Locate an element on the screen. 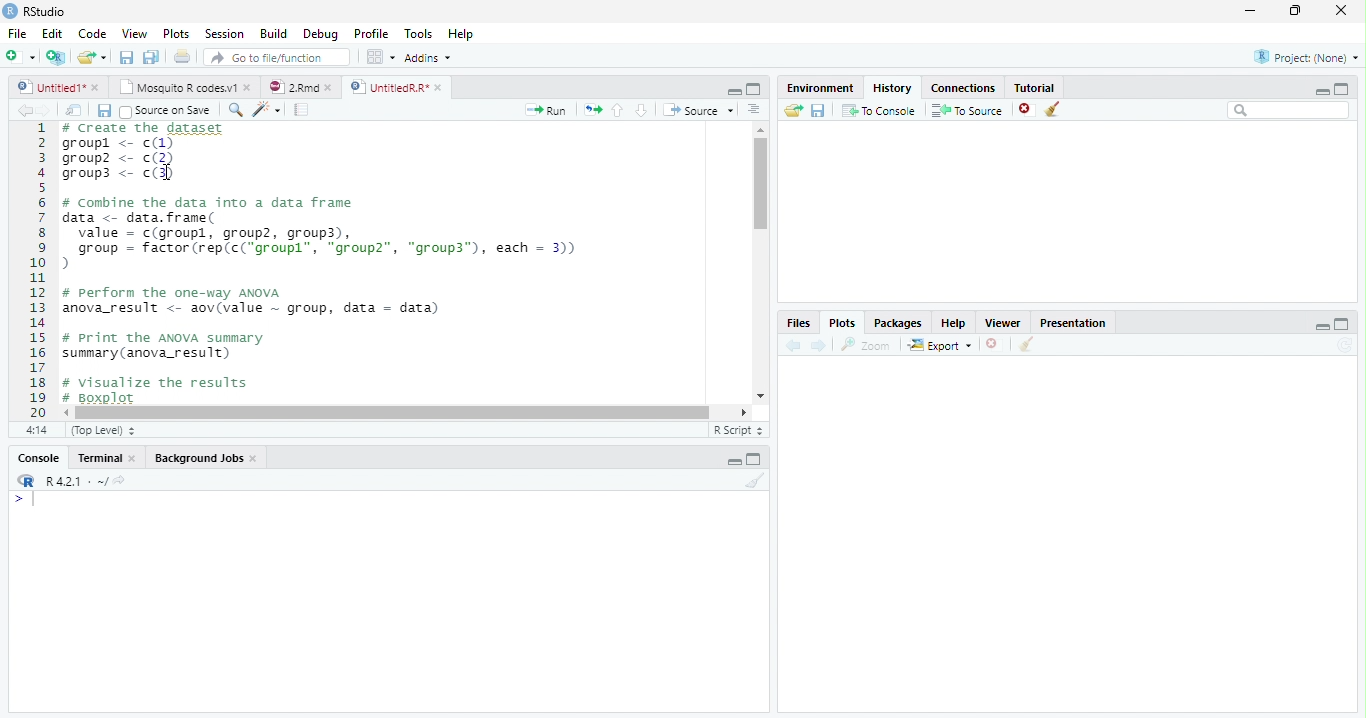  To Console is located at coordinates (879, 110).